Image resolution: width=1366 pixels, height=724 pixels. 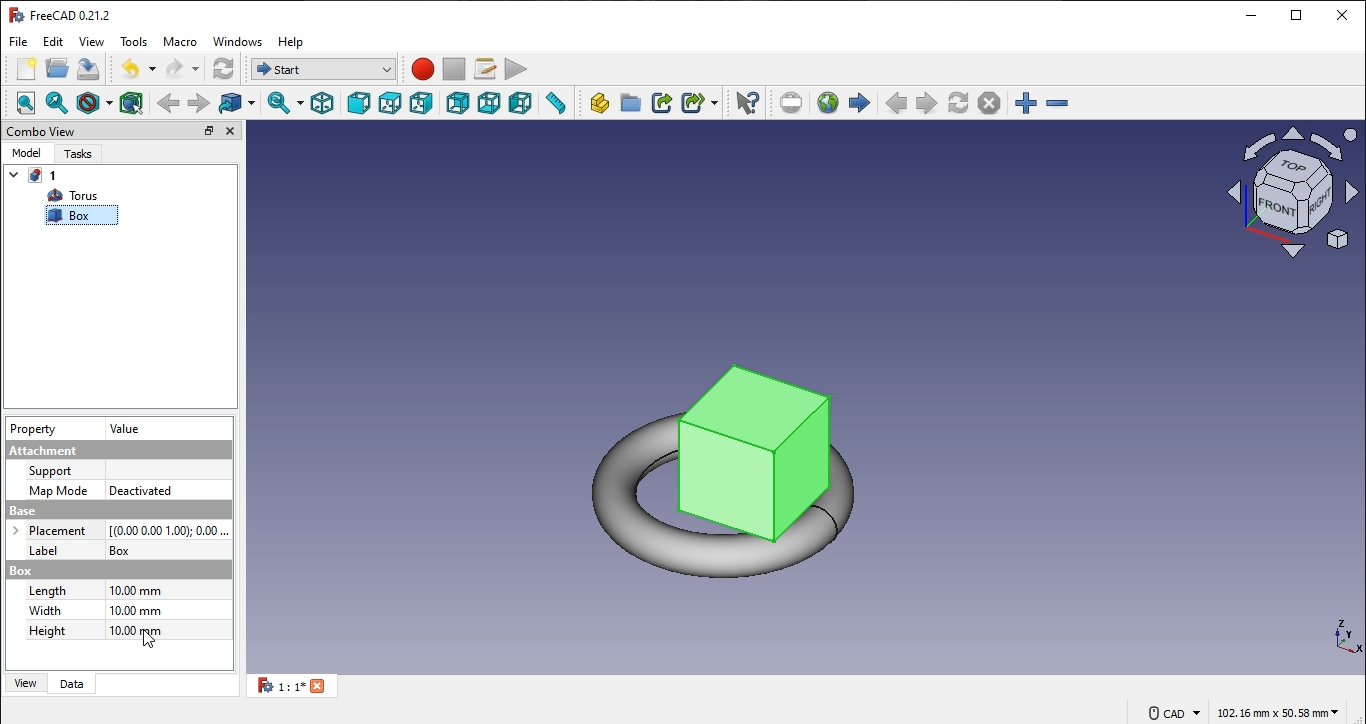 What do you see at coordinates (61, 101) in the screenshot?
I see `fit selection` at bounding box center [61, 101].